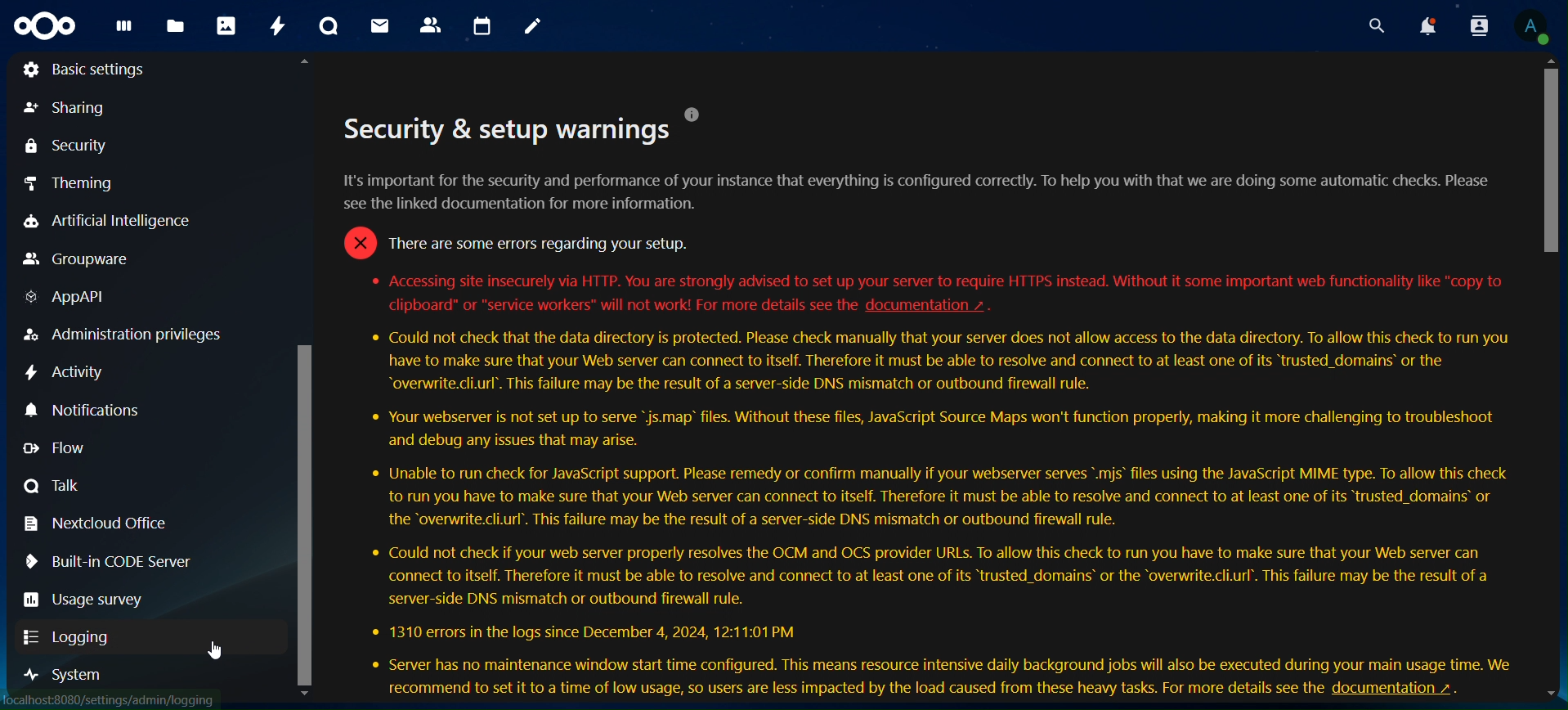 The width and height of the screenshot is (1568, 710). Describe the element at coordinates (379, 26) in the screenshot. I see `mail` at that location.